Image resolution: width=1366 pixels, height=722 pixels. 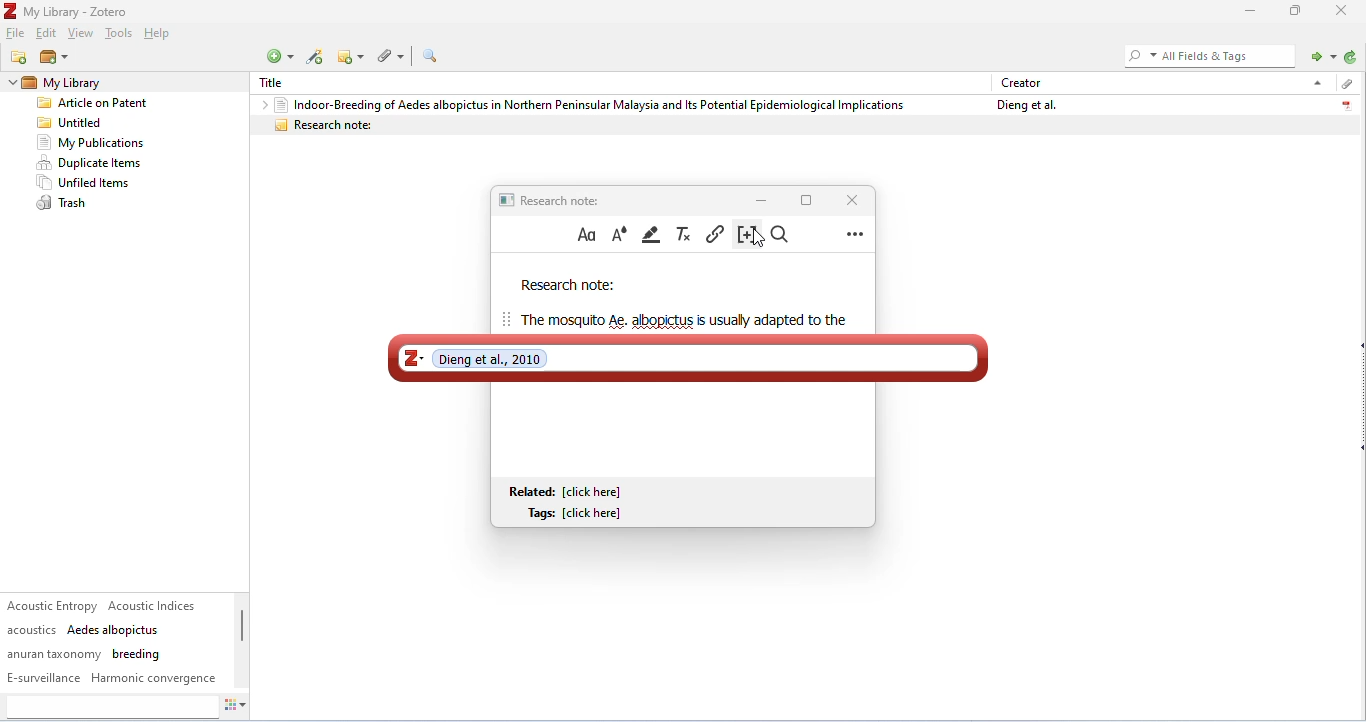 I want to click on my library, so click(x=94, y=83).